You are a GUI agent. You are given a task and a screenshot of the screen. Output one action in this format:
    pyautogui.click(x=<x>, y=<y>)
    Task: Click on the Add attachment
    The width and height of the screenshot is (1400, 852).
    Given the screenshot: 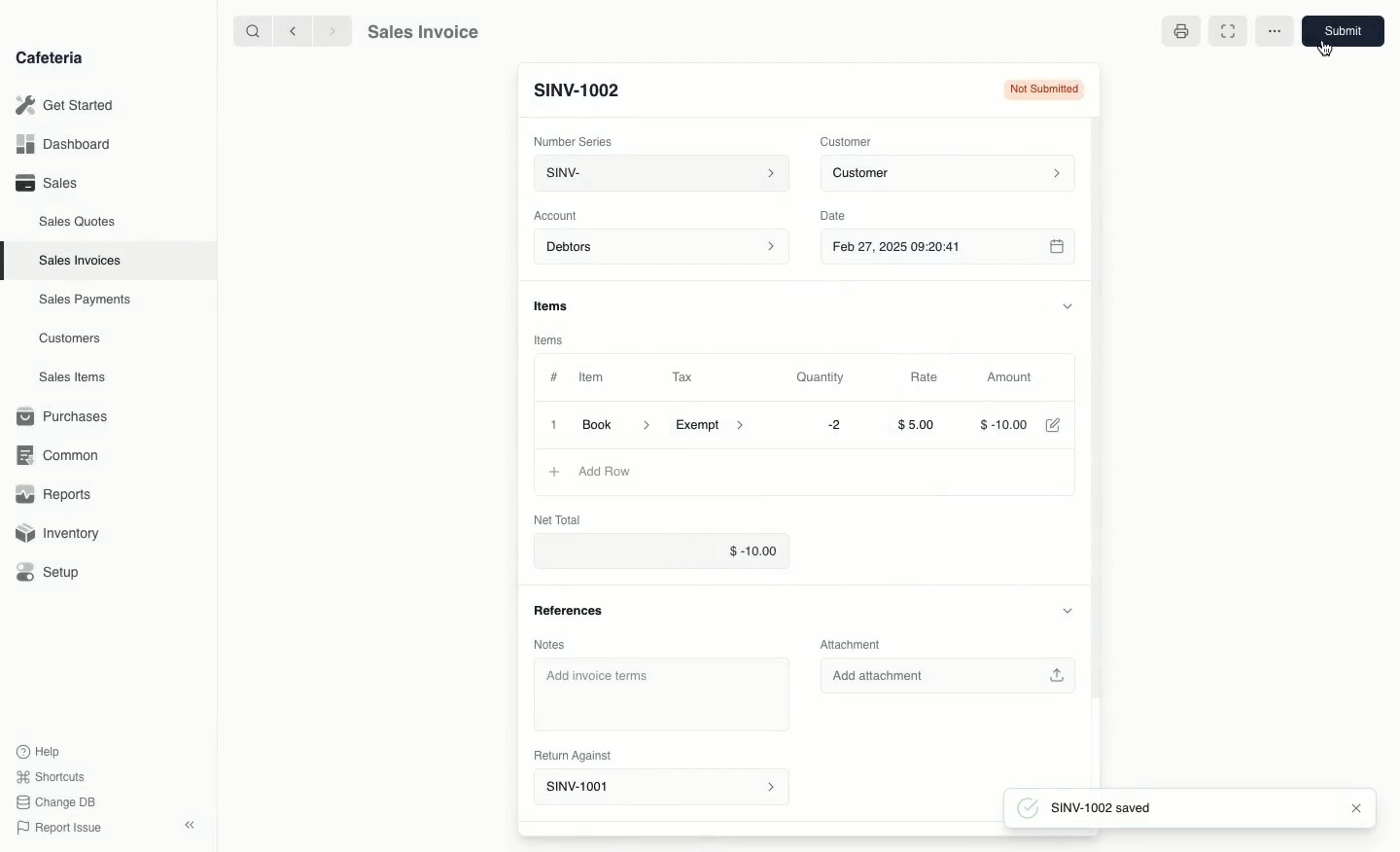 What is the action you would take?
    pyautogui.click(x=946, y=678)
    